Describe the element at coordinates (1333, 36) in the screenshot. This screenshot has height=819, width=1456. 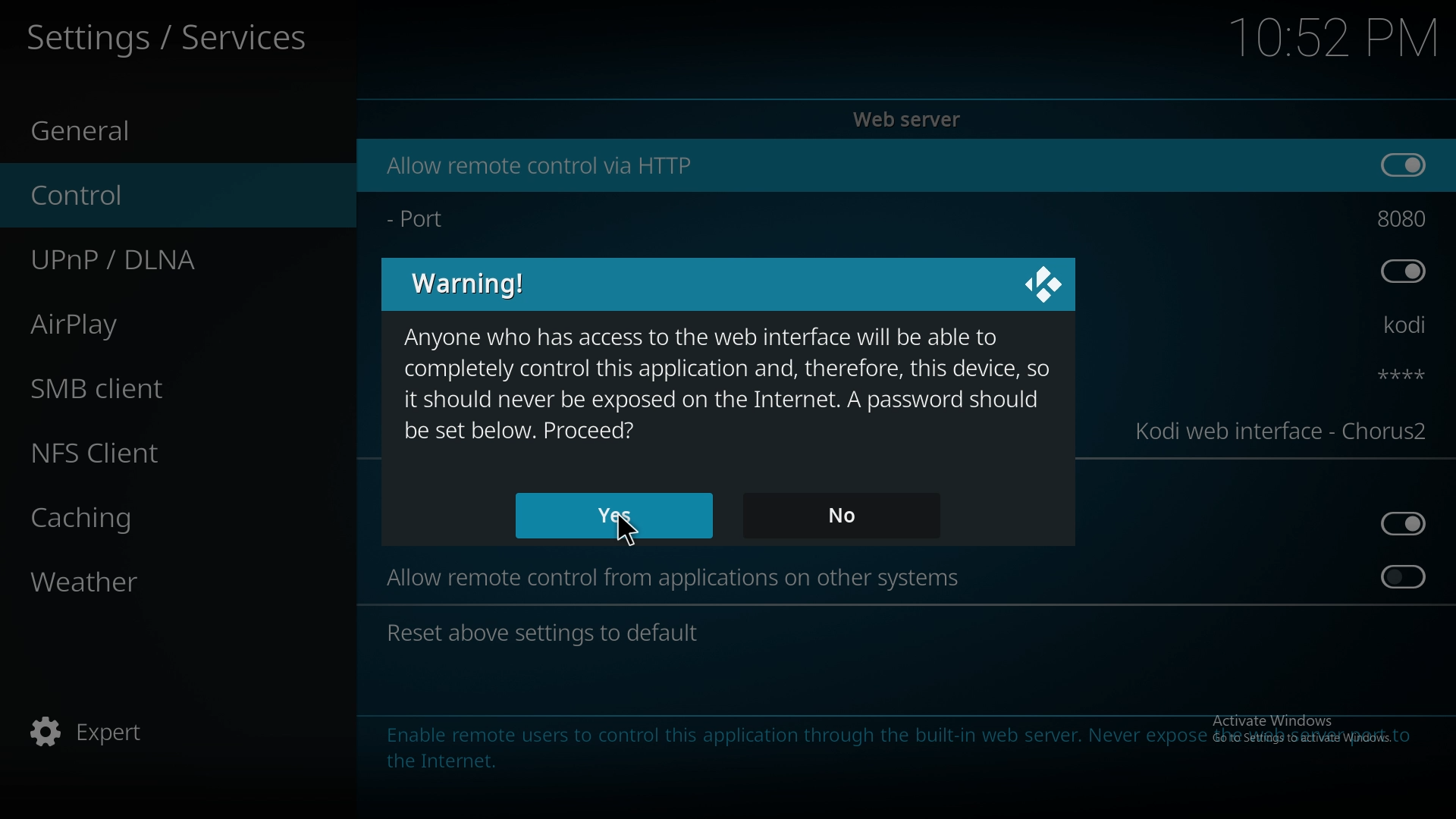
I see `time` at that location.